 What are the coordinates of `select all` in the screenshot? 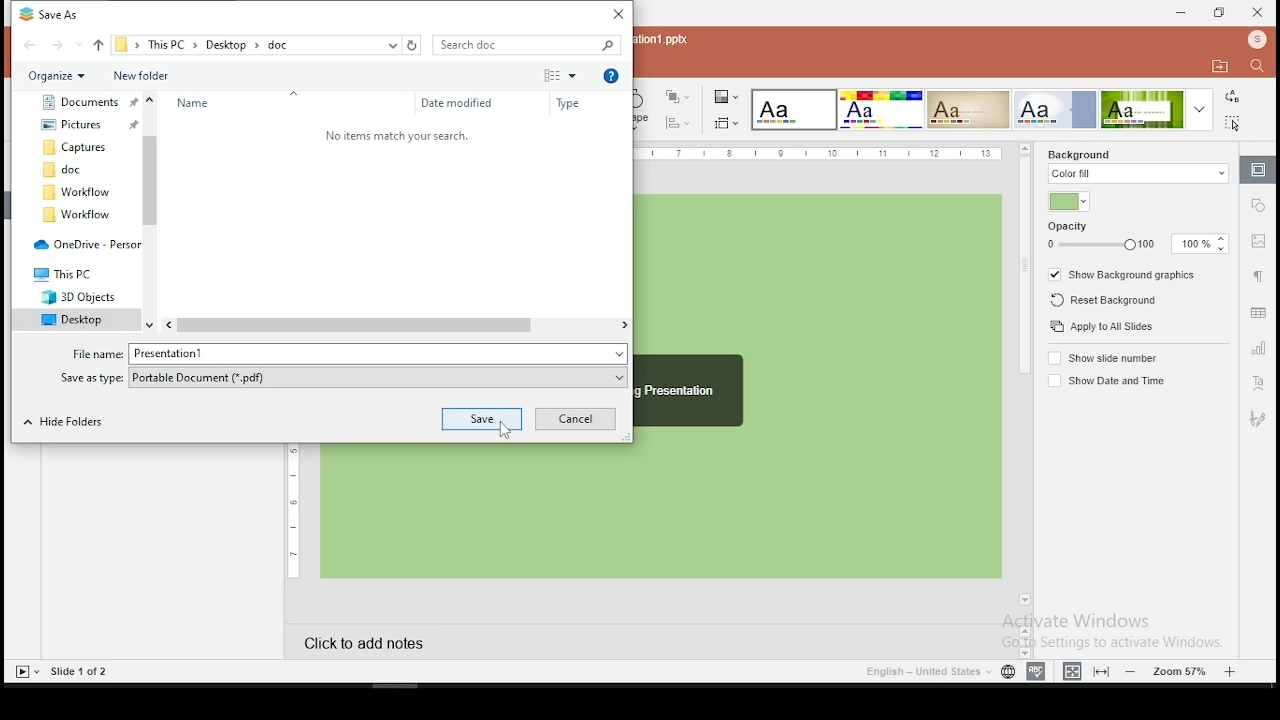 It's located at (1233, 123).